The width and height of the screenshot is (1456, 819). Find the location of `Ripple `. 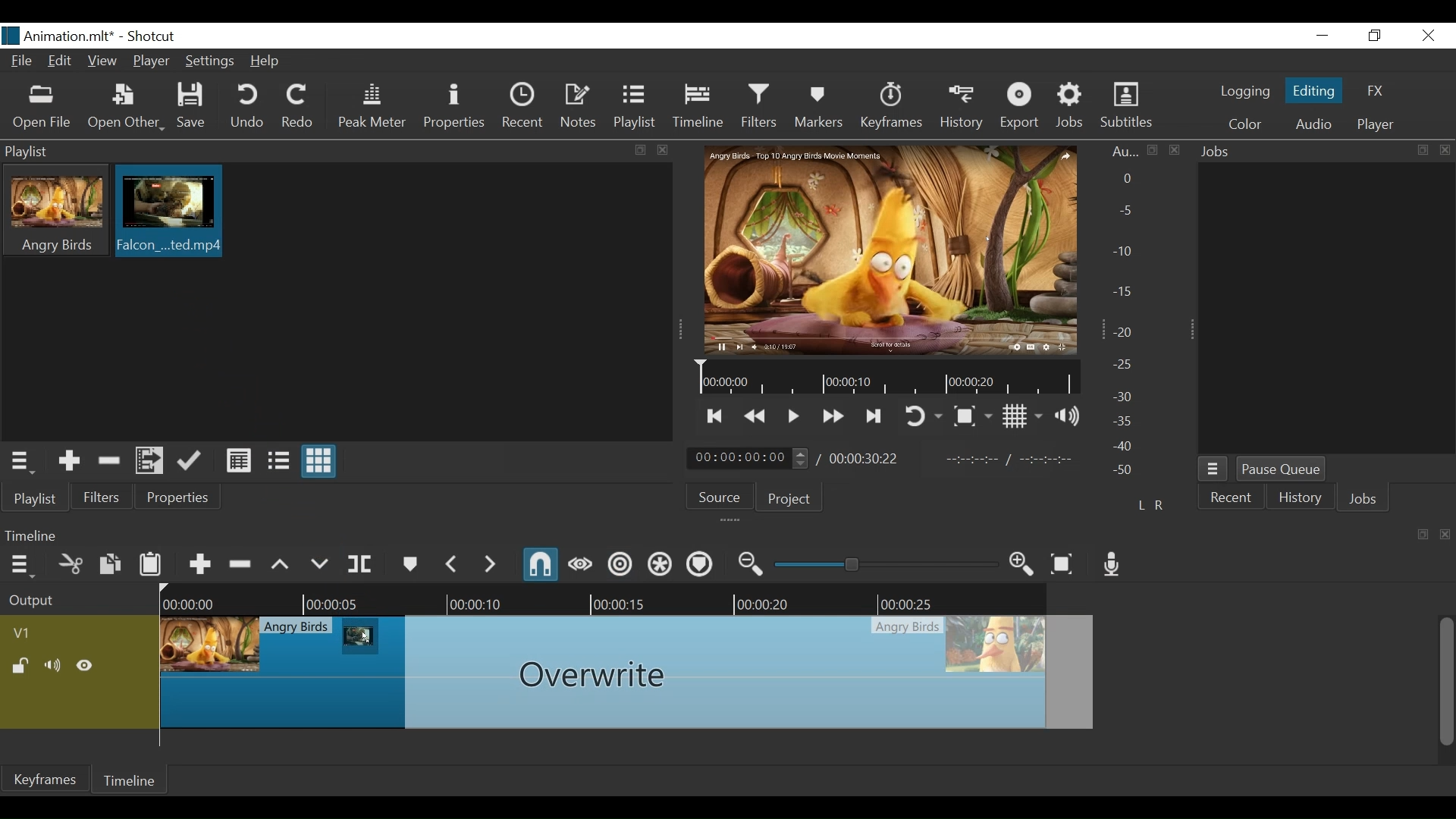

Ripple  is located at coordinates (621, 565).